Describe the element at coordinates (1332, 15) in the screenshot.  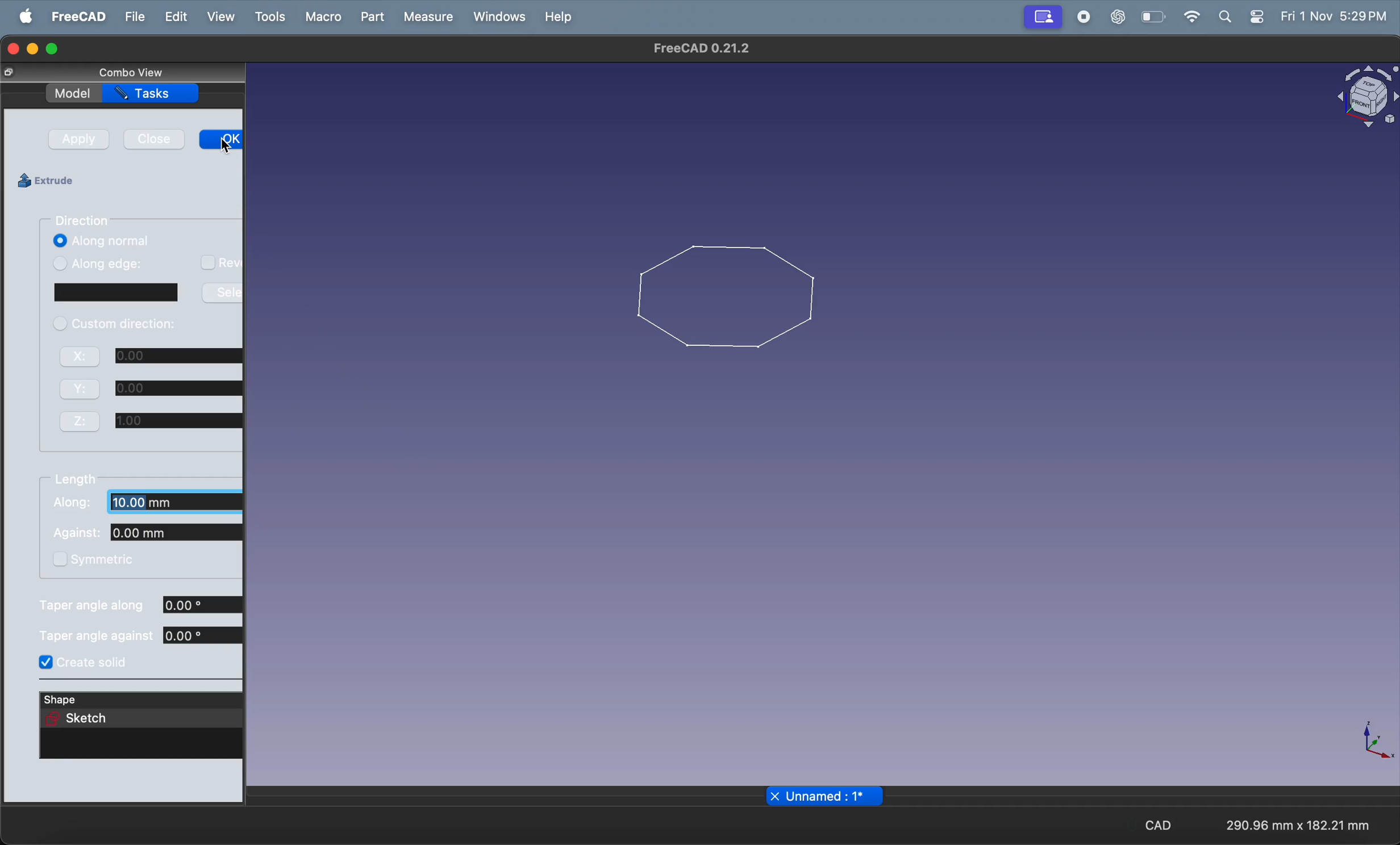
I see `time and date` at that location.